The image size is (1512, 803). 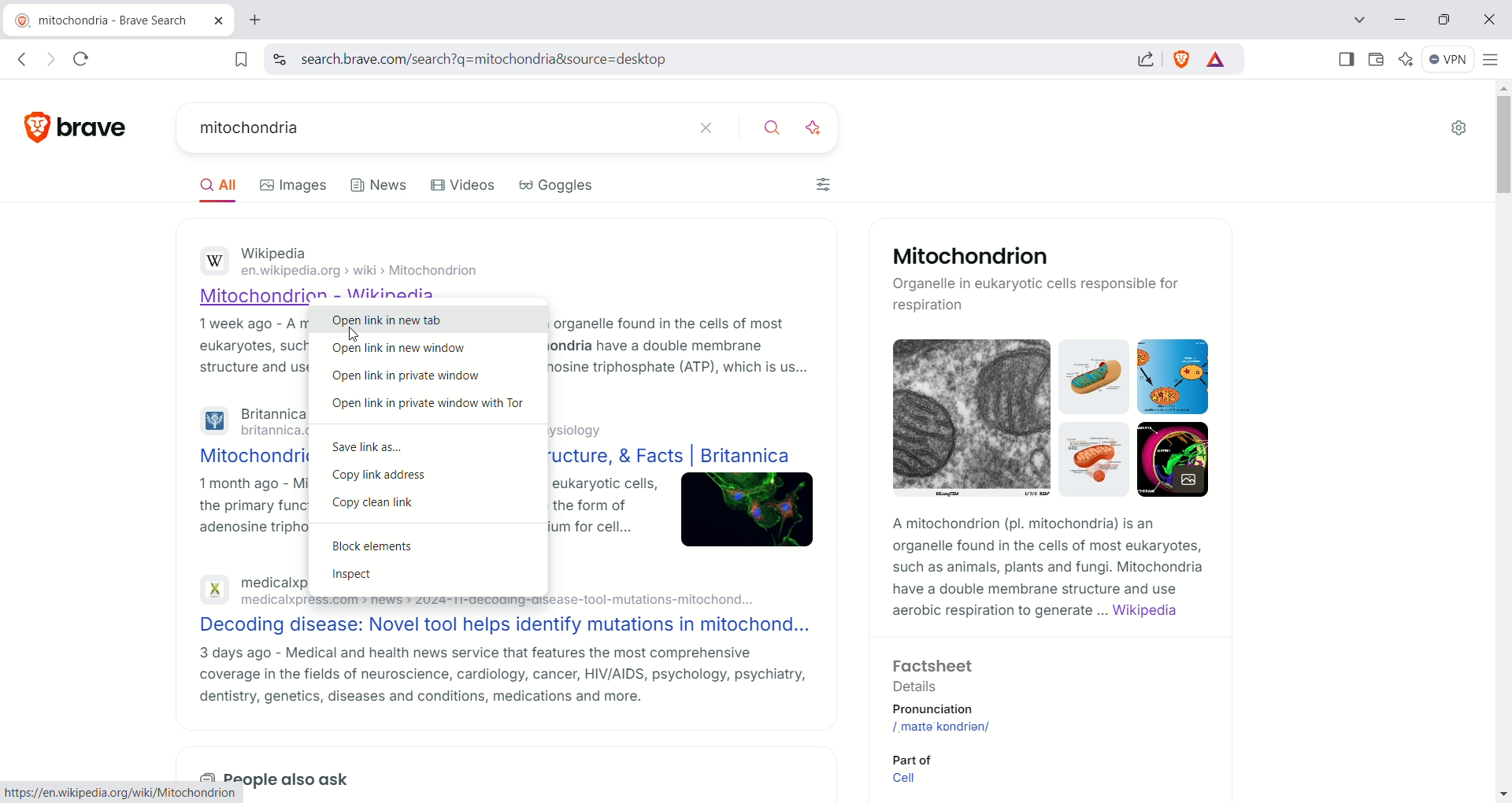 What do you see at coordinates (750, 509) in the screenshot?
I see `image` at bounding box center [750, 509].